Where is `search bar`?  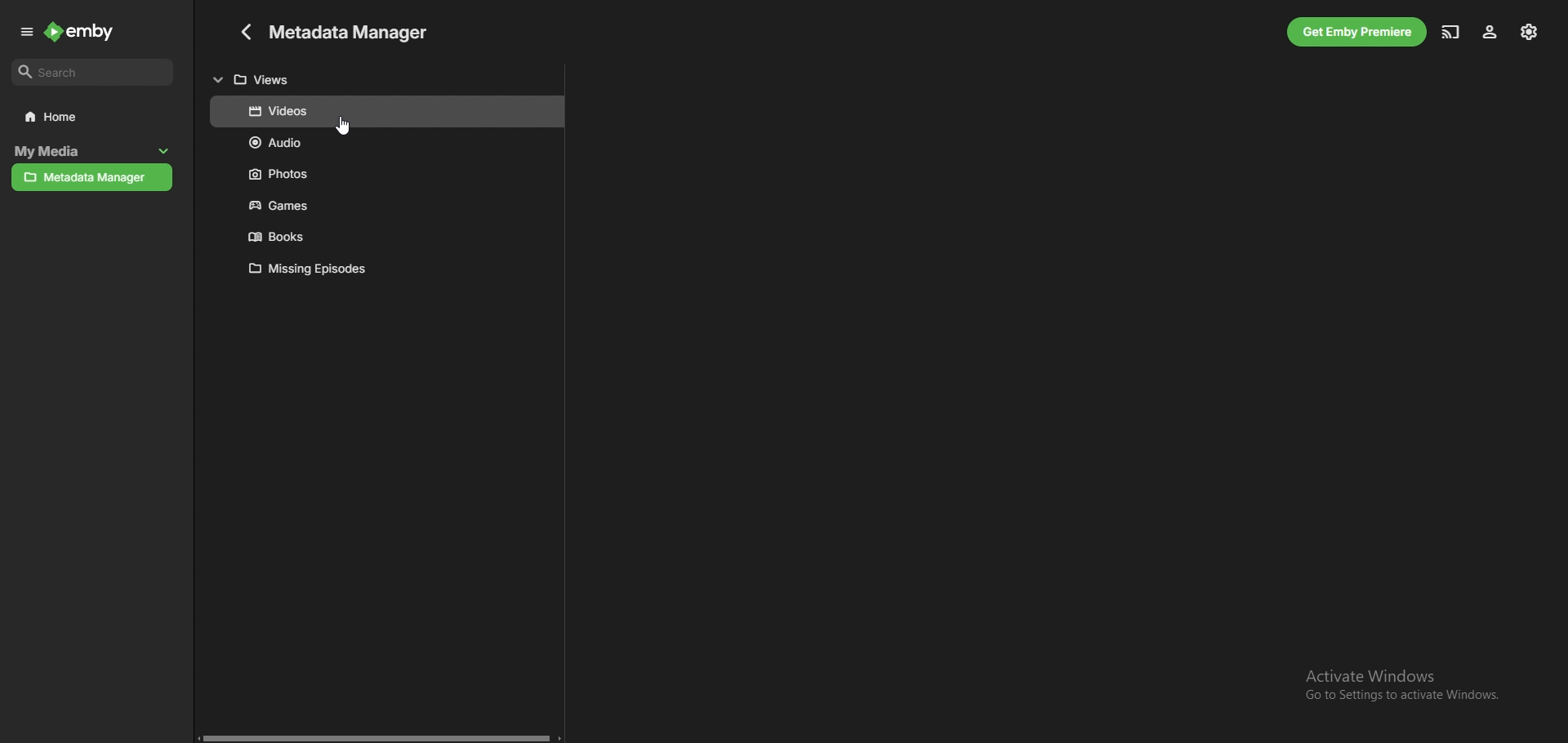
search bar is located at coordinates (93, 73).